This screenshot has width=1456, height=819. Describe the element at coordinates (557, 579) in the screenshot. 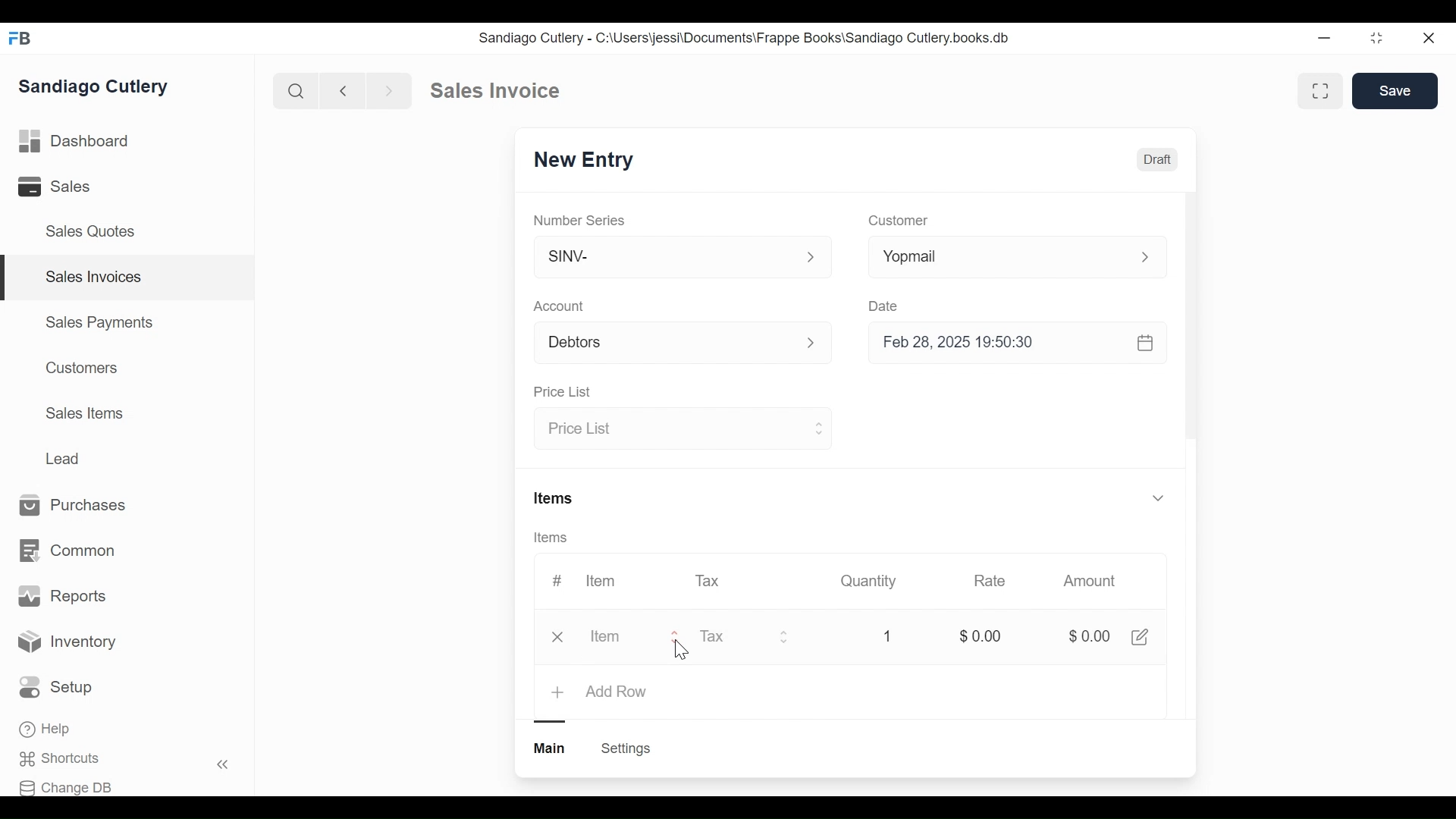

I see `#` at that location.